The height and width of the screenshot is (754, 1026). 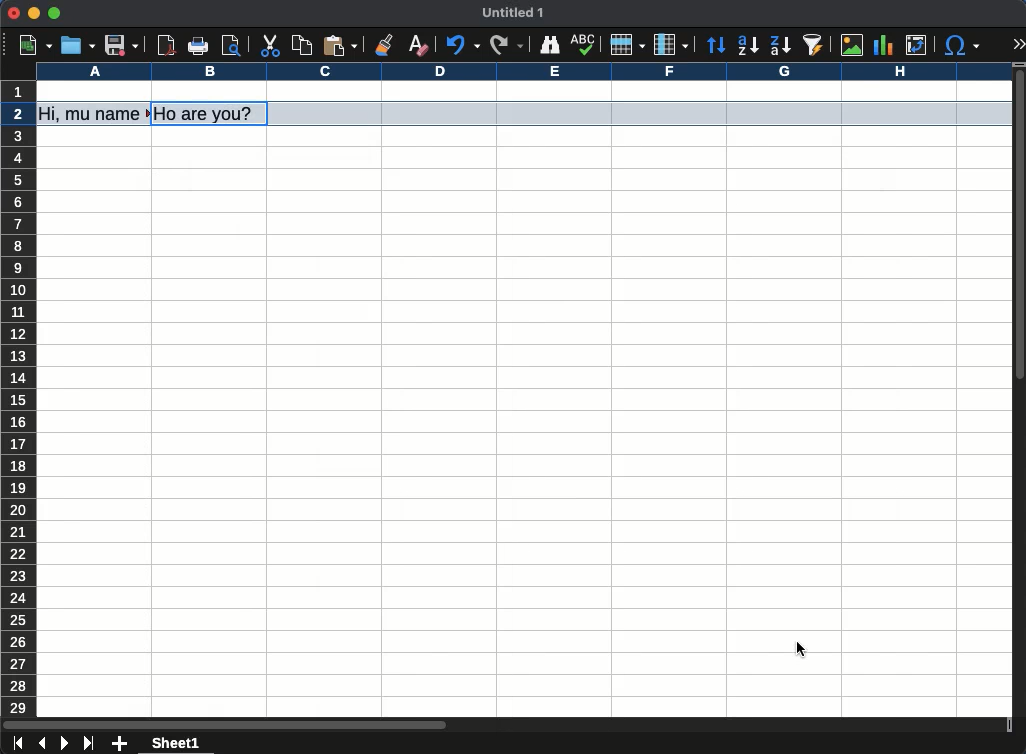 What do you see at coordinates (855, 46) in the screenshot?
I see `image` at bounding box center [855, 46].